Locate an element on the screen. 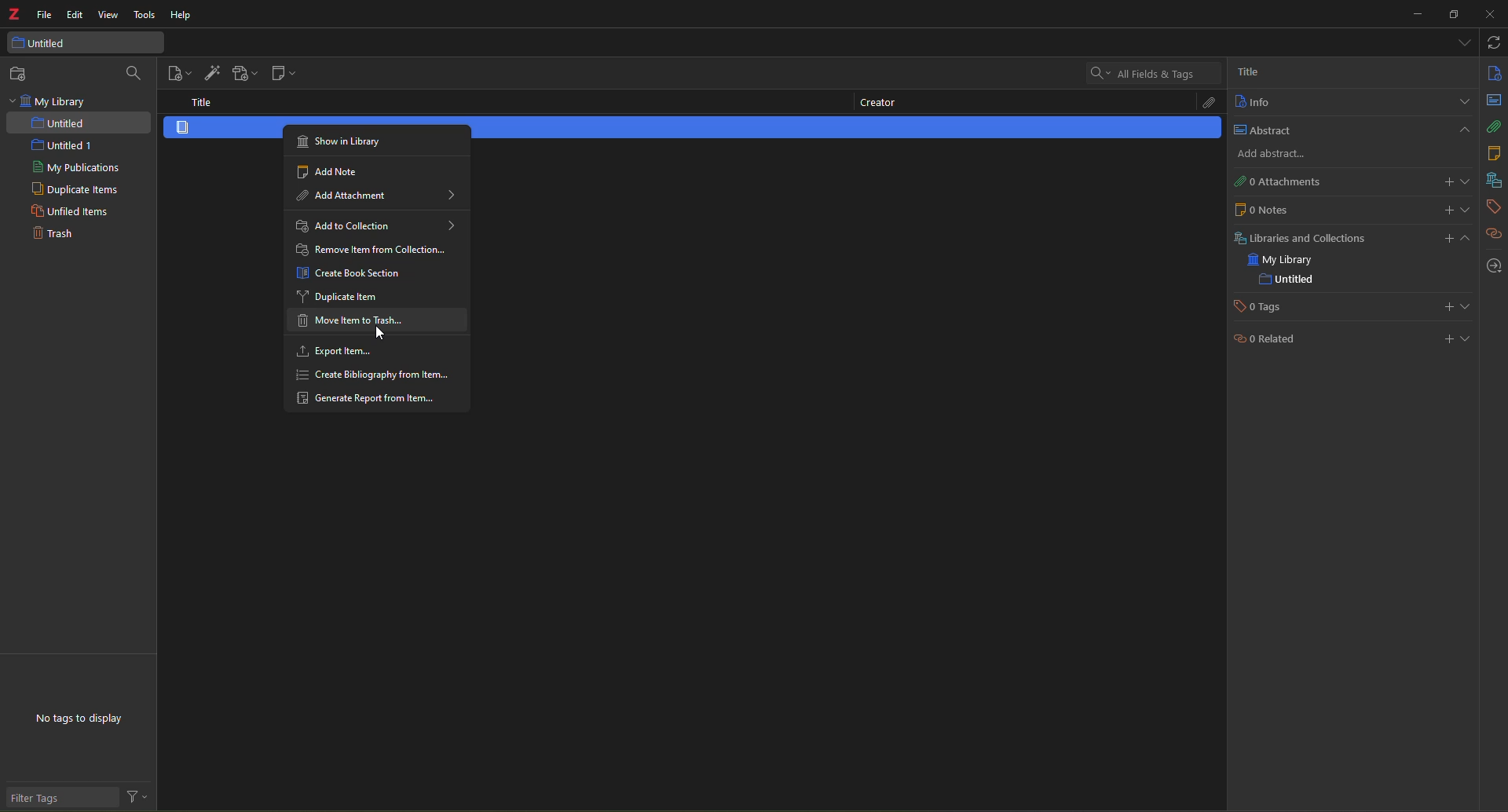 The height and width of the screenshot is (812, 1508). search is located at coordinates (1140, 72).